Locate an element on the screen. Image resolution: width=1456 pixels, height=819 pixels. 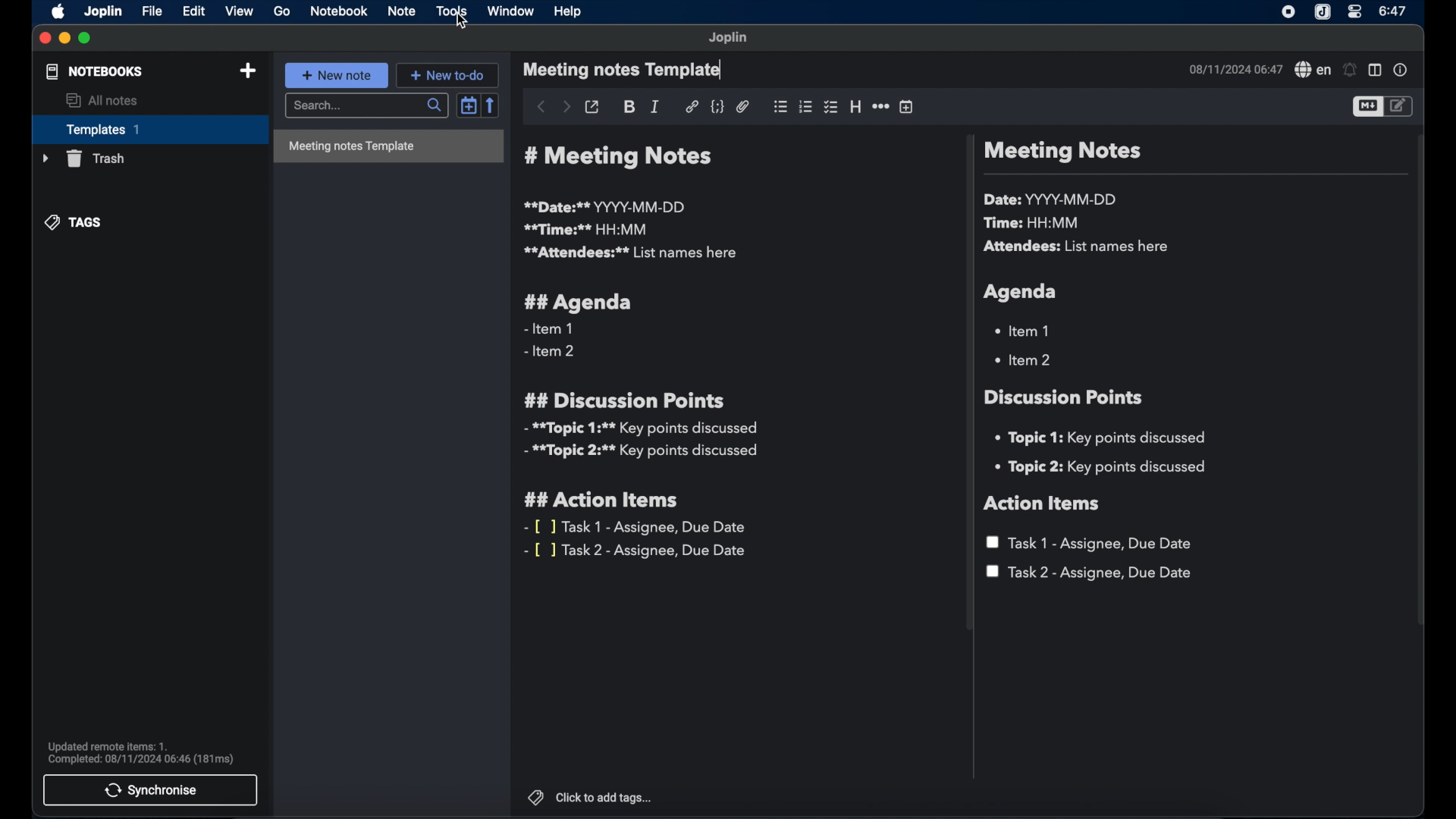
back is located at coordinates (539, 106).